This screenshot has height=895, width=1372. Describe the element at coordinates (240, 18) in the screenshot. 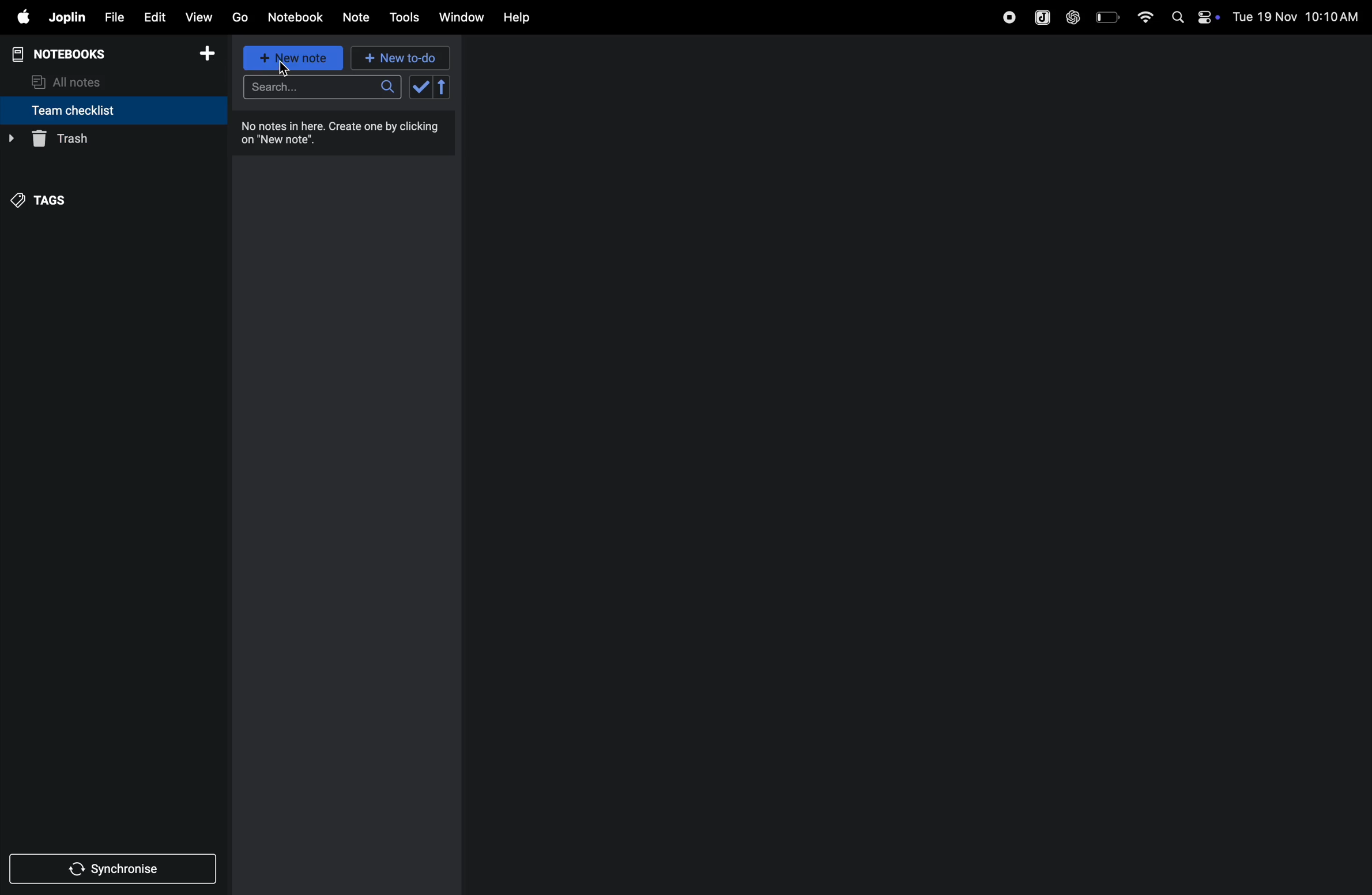

I see `go` at that location.